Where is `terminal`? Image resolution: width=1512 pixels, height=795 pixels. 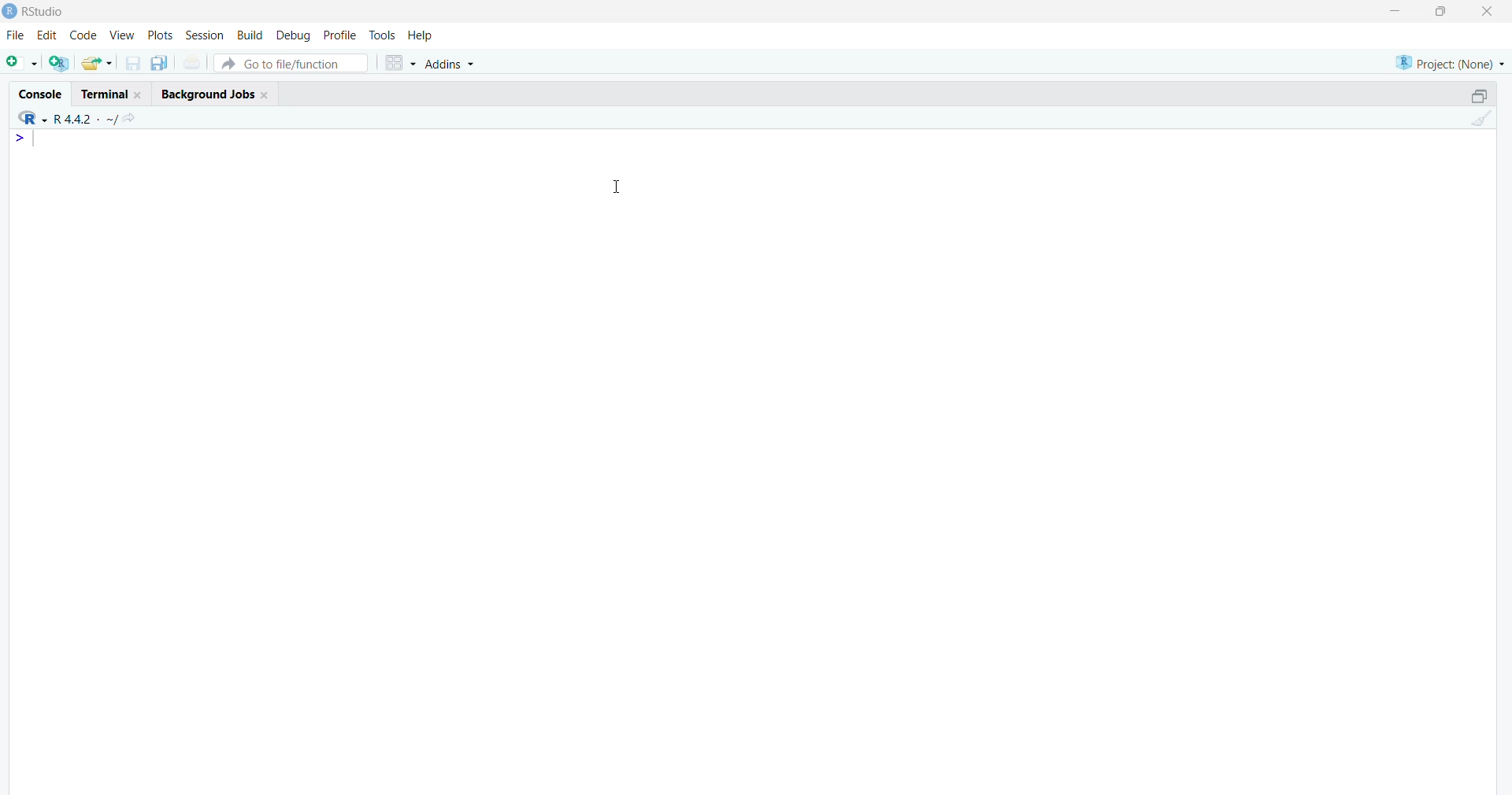
terminal is located at coordinates (111, 93).